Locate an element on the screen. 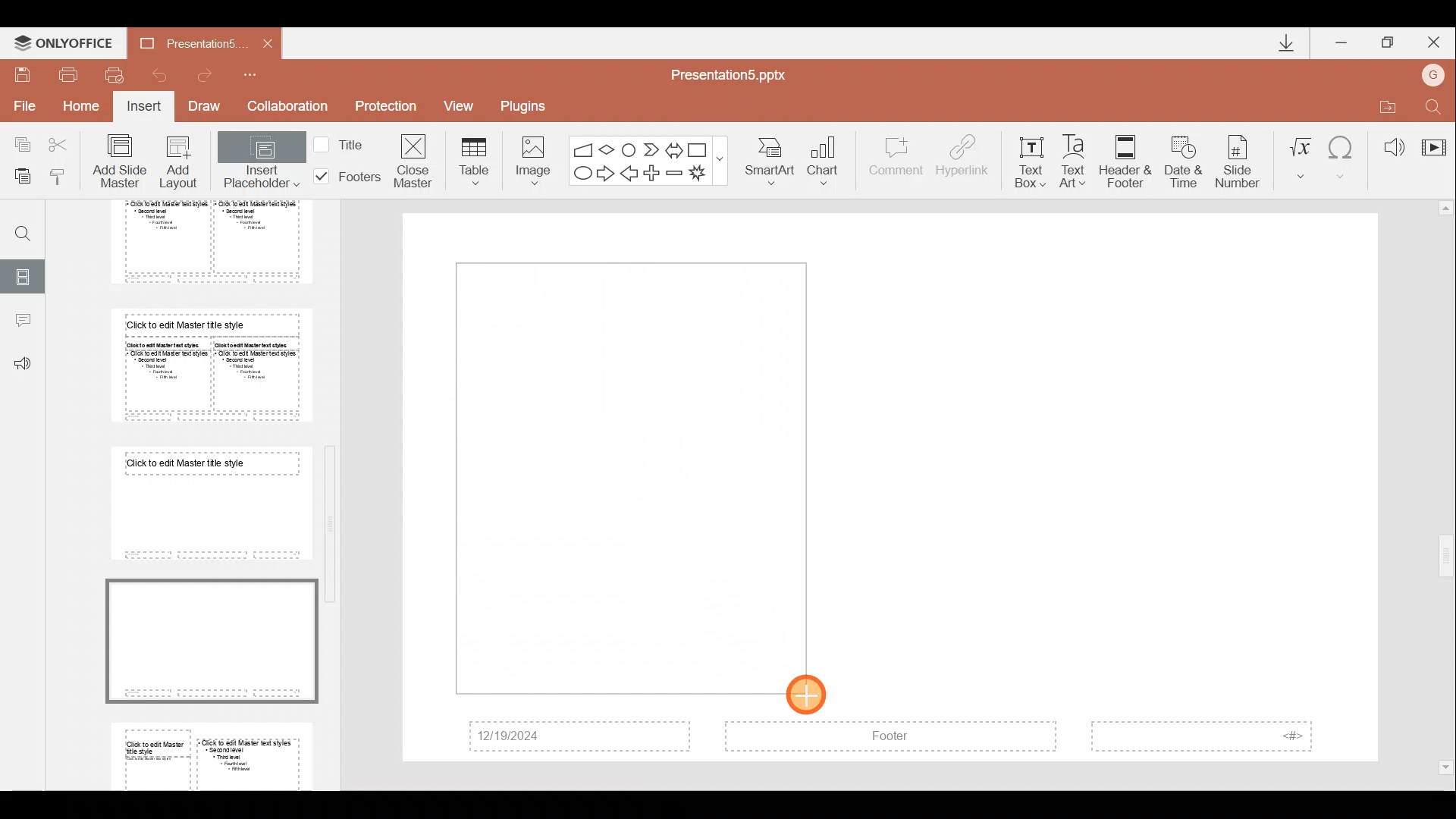  Flow chart-decision is located at coordinates (609, 149).